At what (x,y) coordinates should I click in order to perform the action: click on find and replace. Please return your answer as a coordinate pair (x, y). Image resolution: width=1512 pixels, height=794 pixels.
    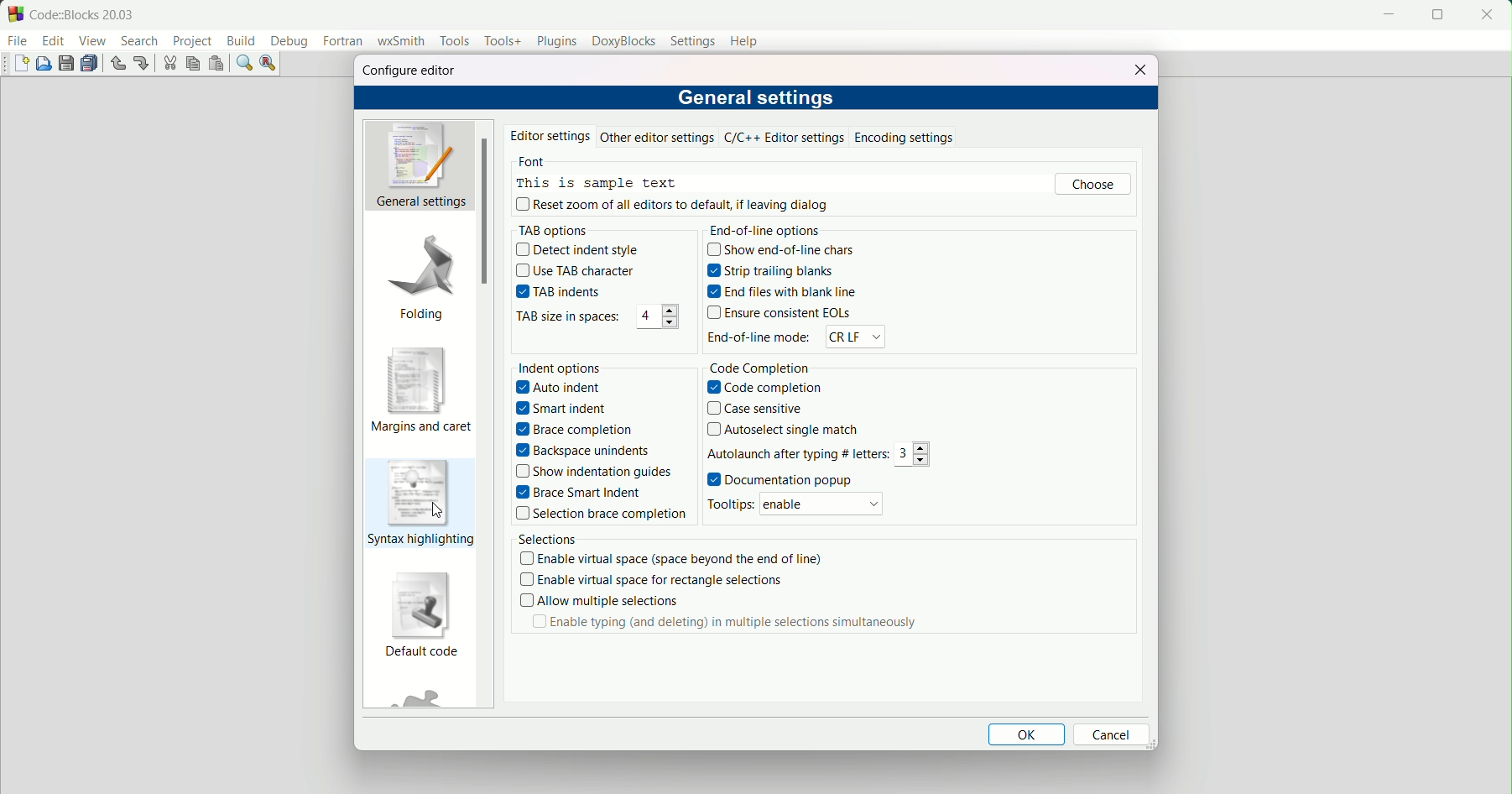
    Looking at the image, I should click on (269, 64).